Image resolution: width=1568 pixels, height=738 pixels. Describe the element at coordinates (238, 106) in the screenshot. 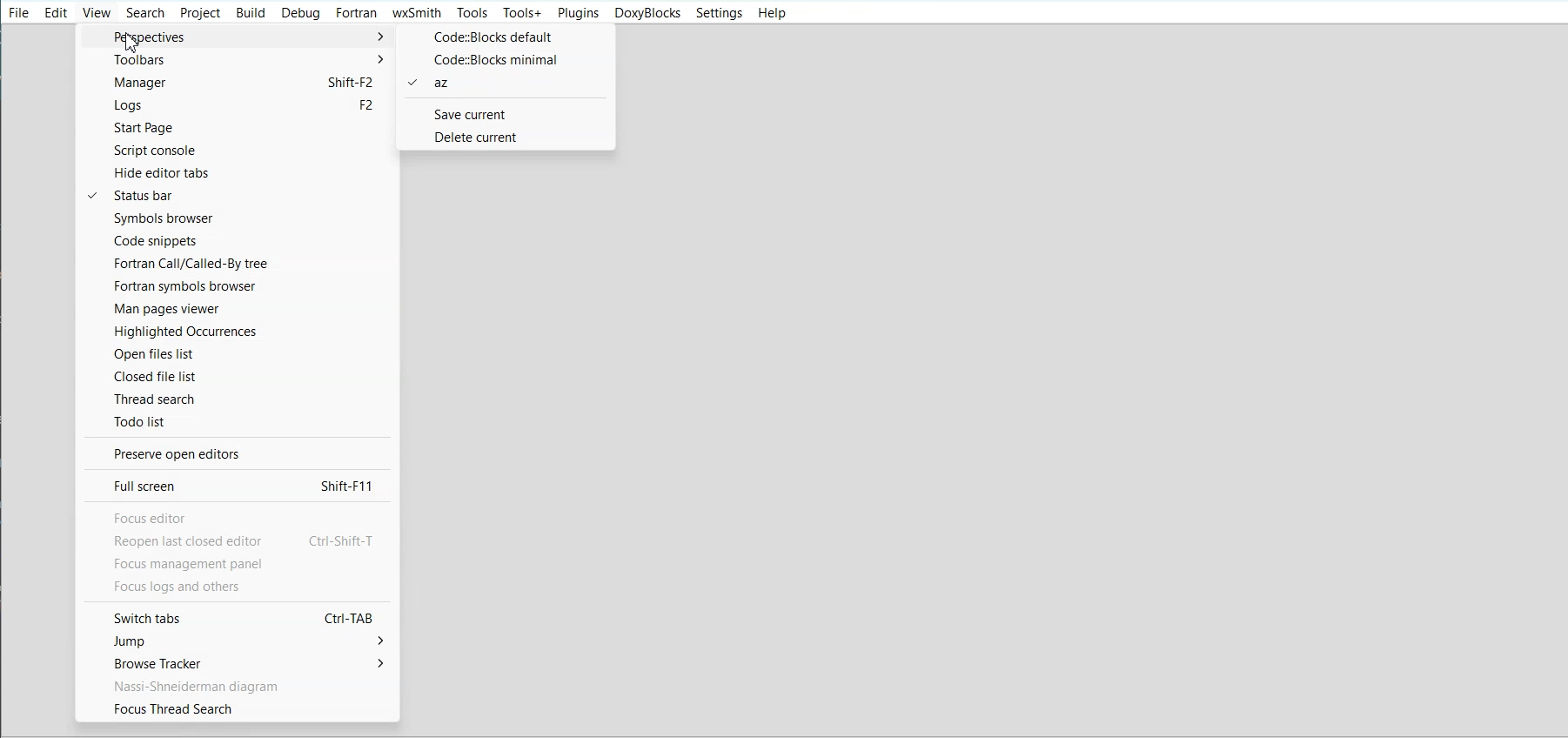

I see `Logs` at that location.